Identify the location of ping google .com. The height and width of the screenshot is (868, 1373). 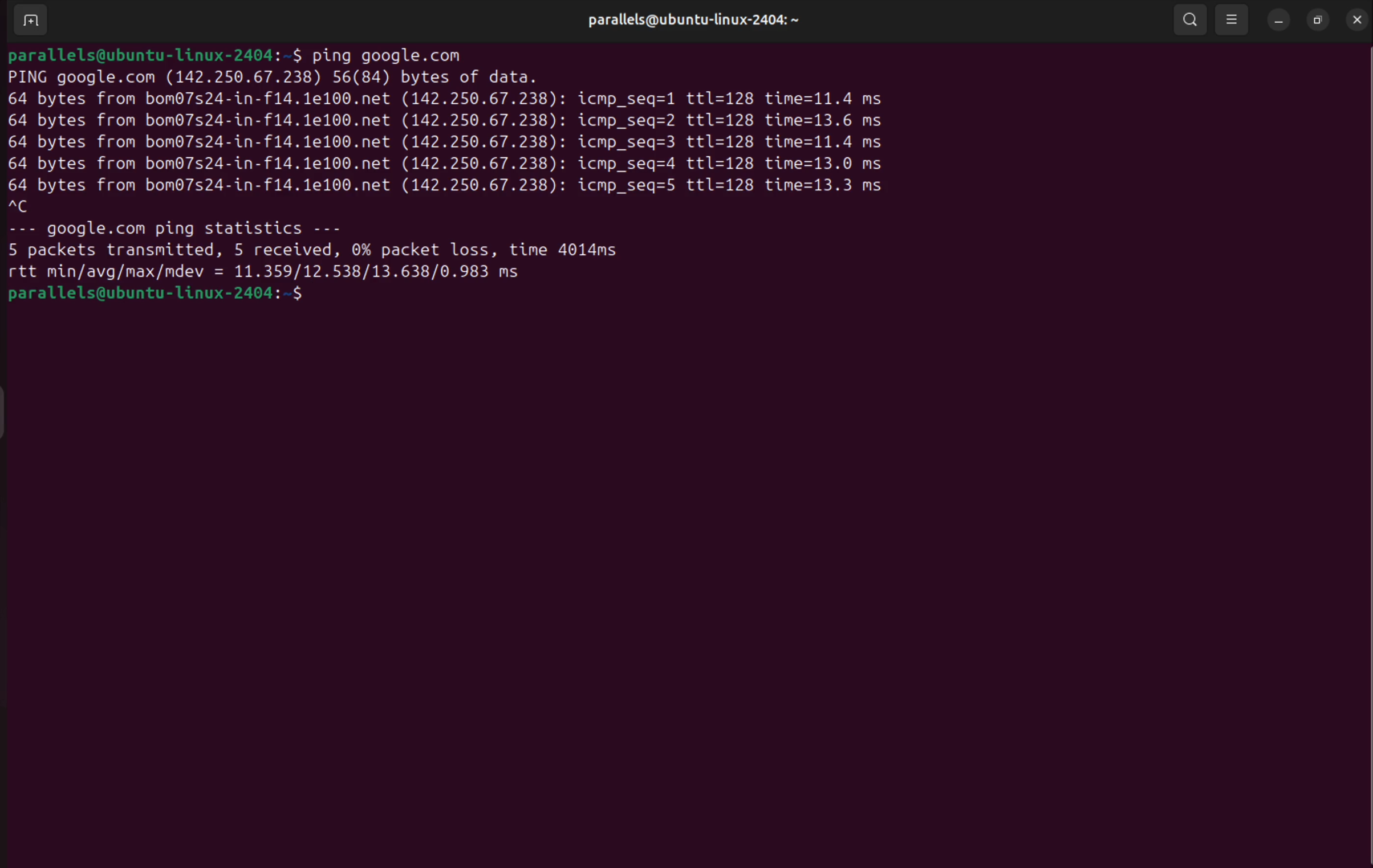
(394, 54).